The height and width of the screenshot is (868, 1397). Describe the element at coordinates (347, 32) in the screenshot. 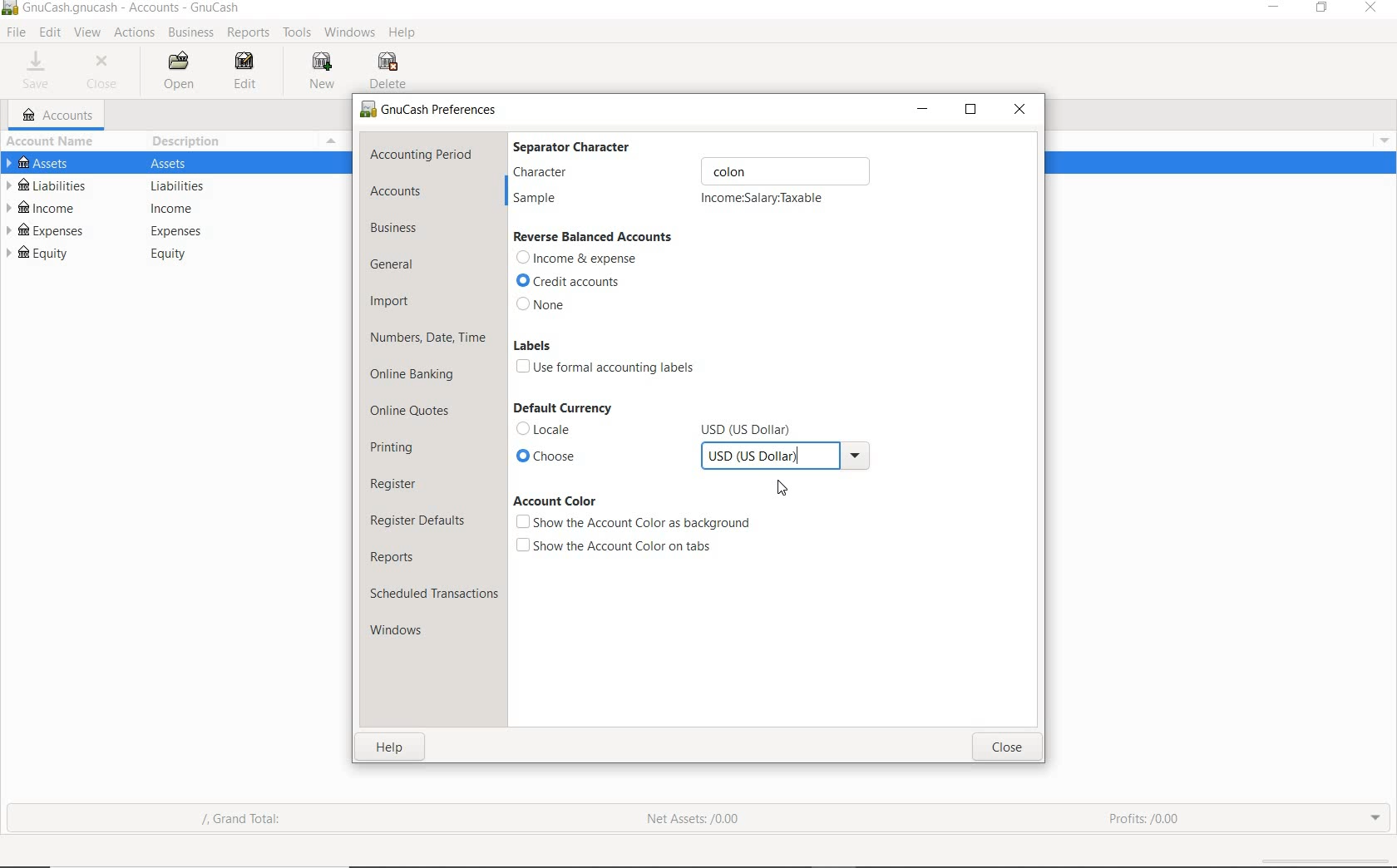

I see `WINDOWS` at that location.